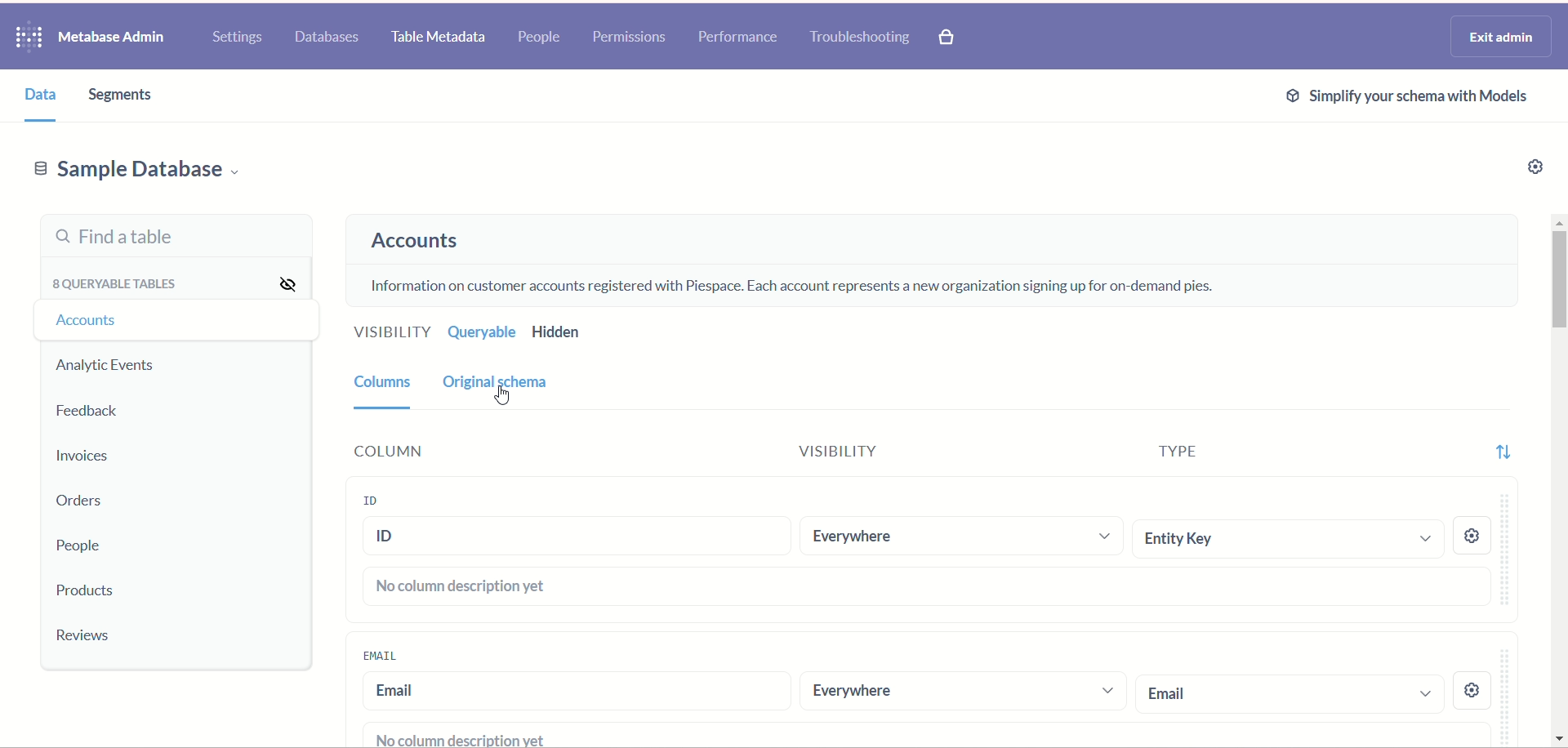  What do you see at coordinates (1533, 165) in the screenshot?
I see `settings` at bounding box center [1533, 165].